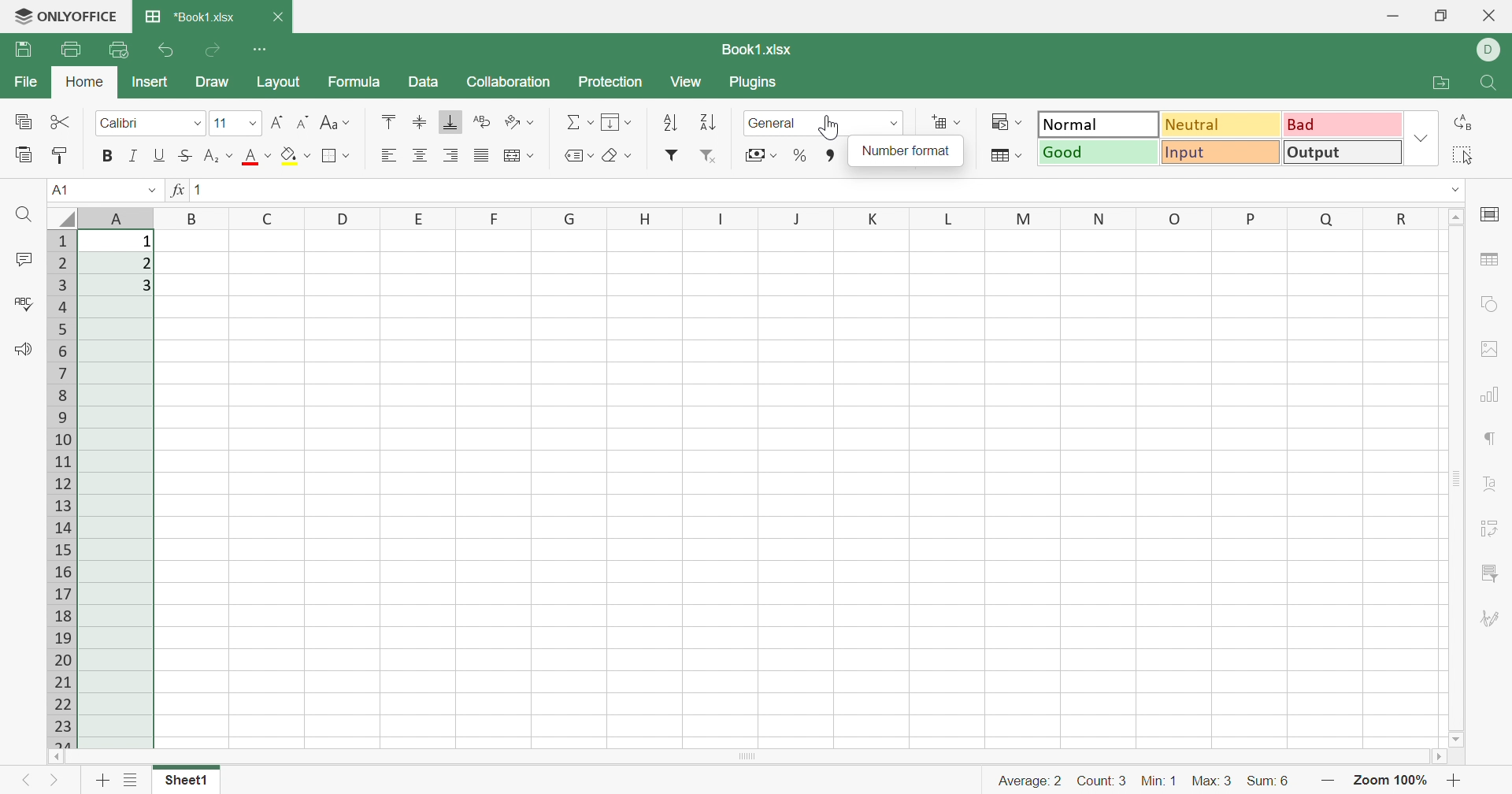 This screenshot has height=794, width=1512. I want to click on Scroll up, so click(1458, 215).